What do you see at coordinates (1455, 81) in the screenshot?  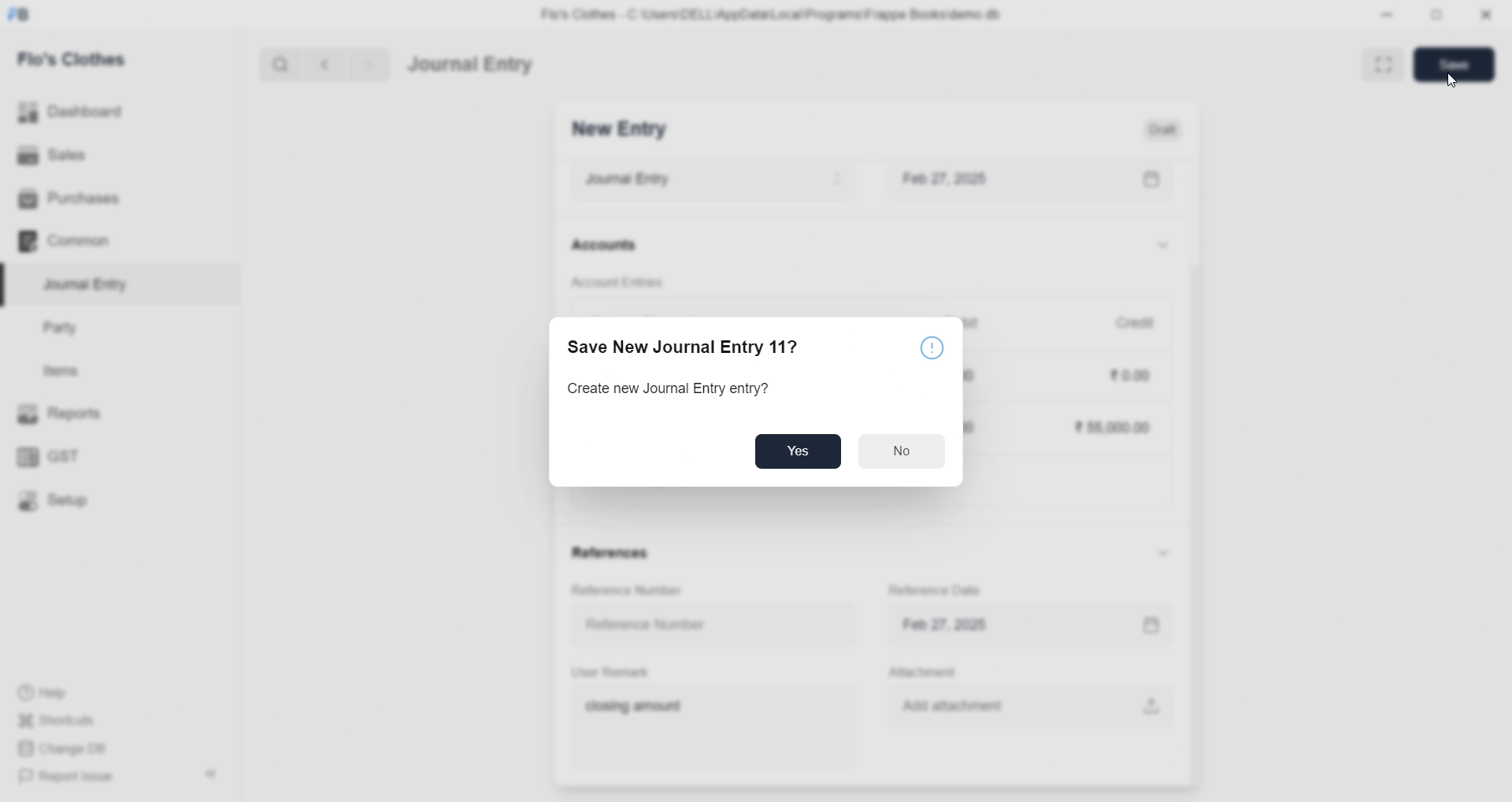 I see `cursor` at bounding box center [1455, 81].